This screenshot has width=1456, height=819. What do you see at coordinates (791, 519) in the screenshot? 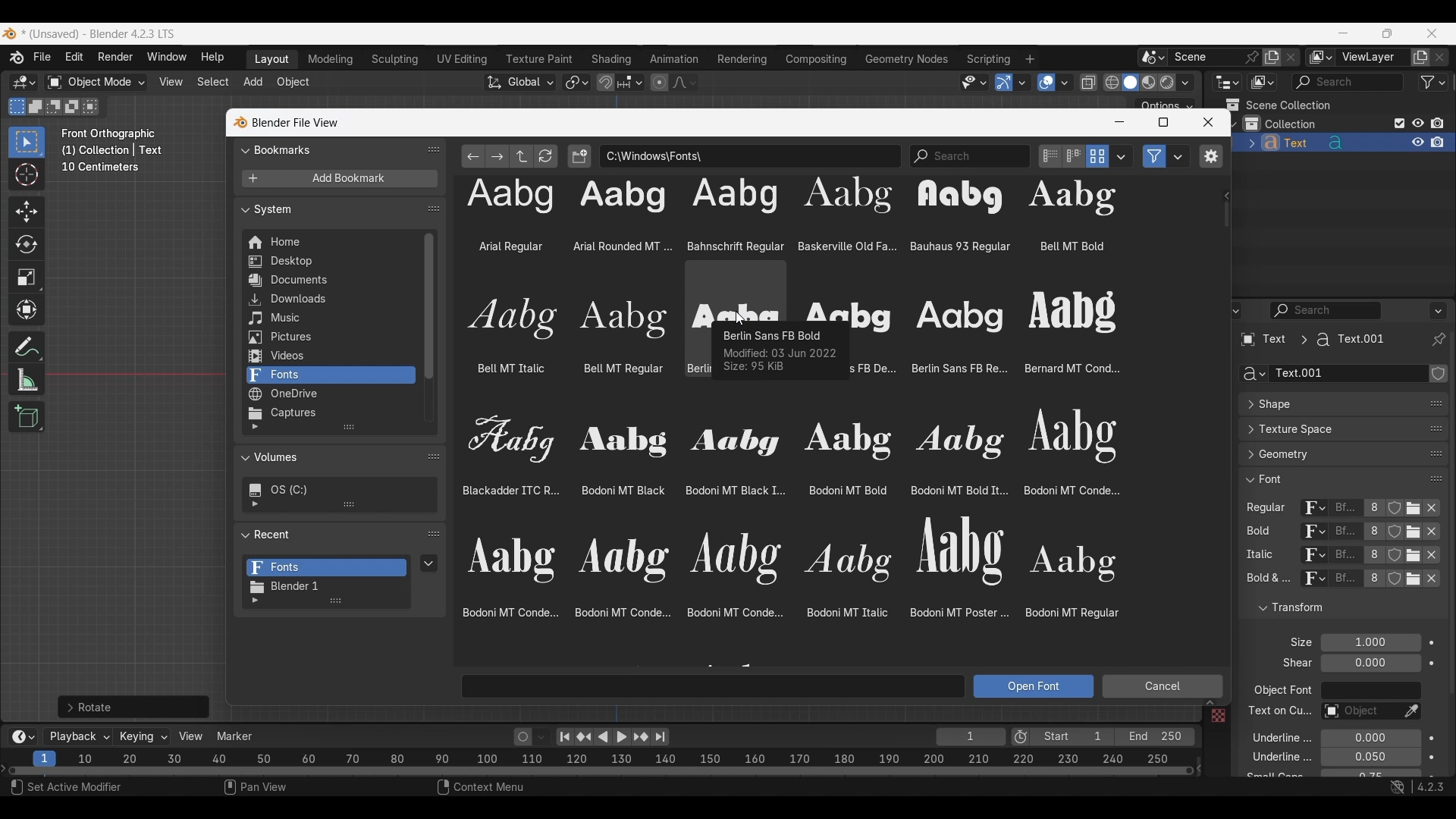
I see `font options` at bounding box center [791, 519].